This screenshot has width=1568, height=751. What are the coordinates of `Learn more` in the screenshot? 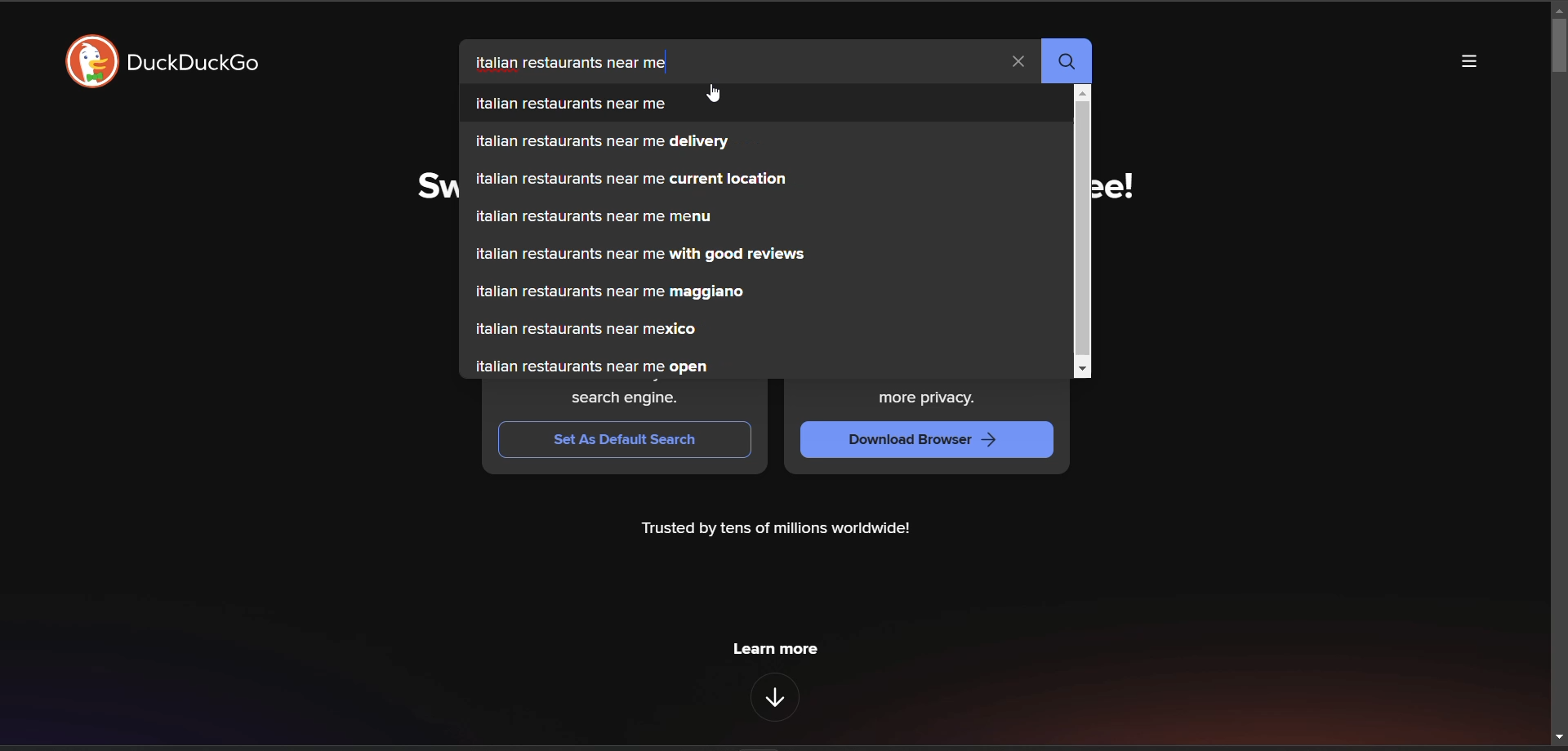 It's located at (774, 697).